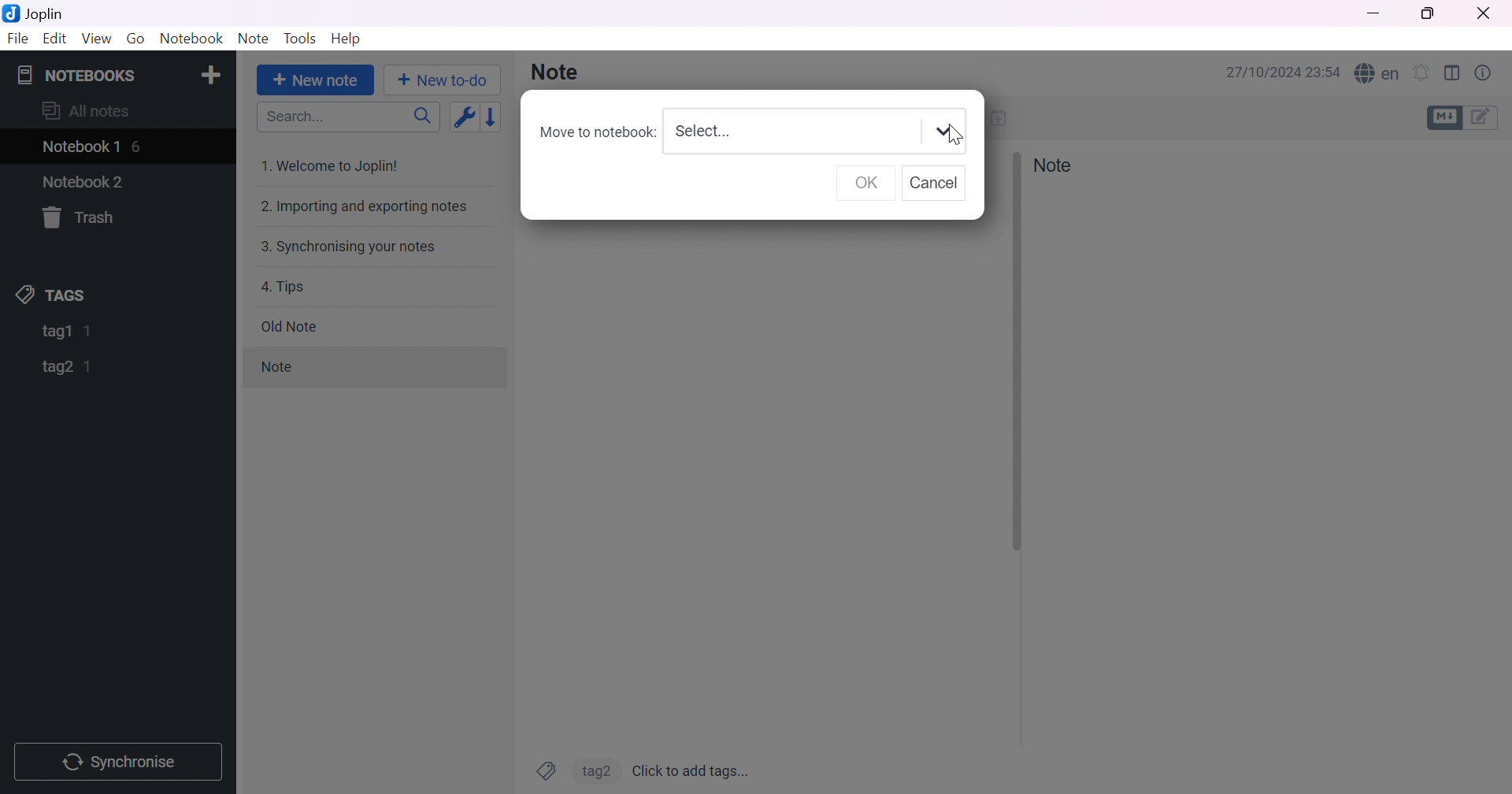  I want to click on Notebook2, so click(83, 181).